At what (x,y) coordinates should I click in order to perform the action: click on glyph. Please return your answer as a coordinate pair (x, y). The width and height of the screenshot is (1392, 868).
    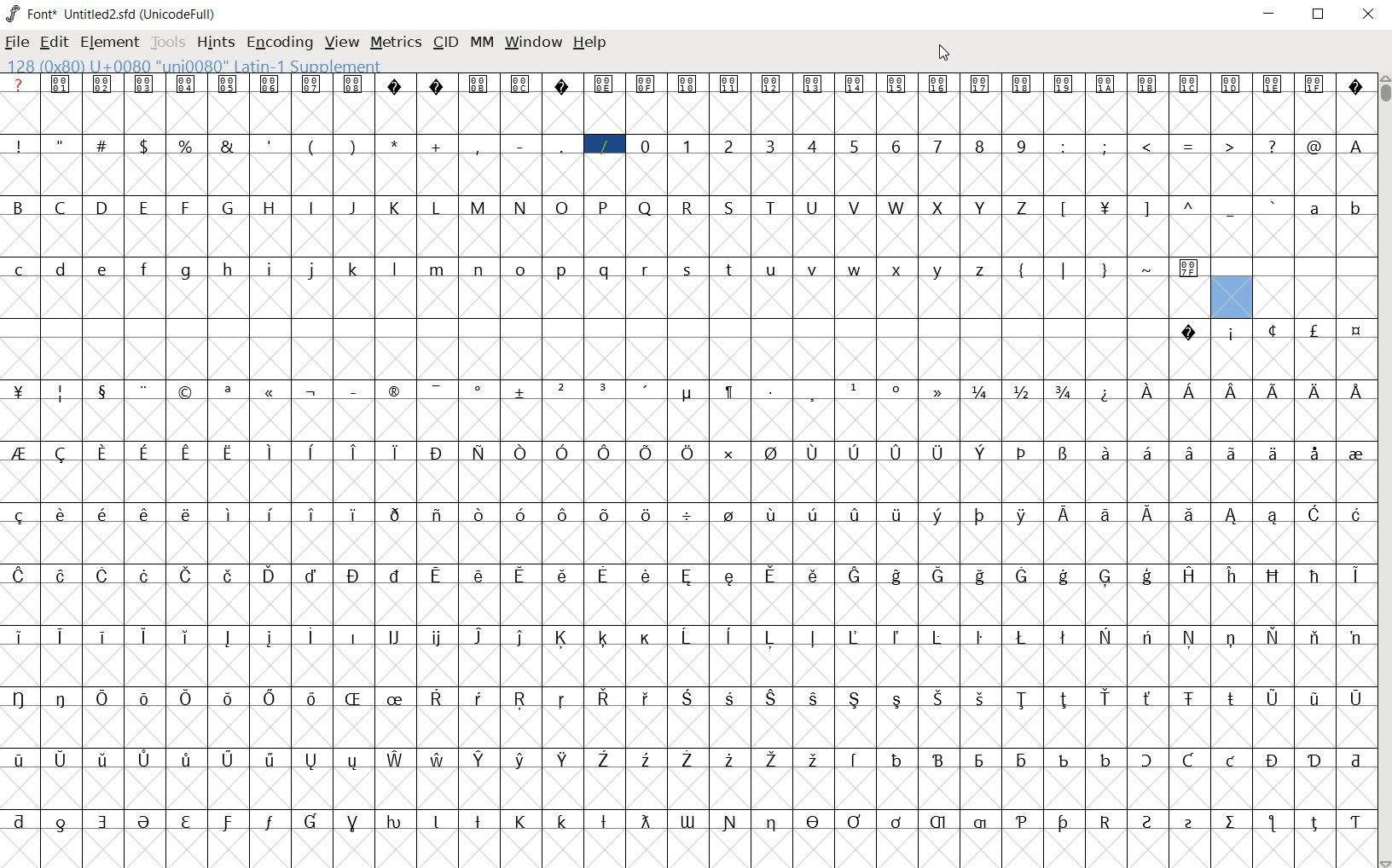
    Looking at the image, I should click on (101, 698).